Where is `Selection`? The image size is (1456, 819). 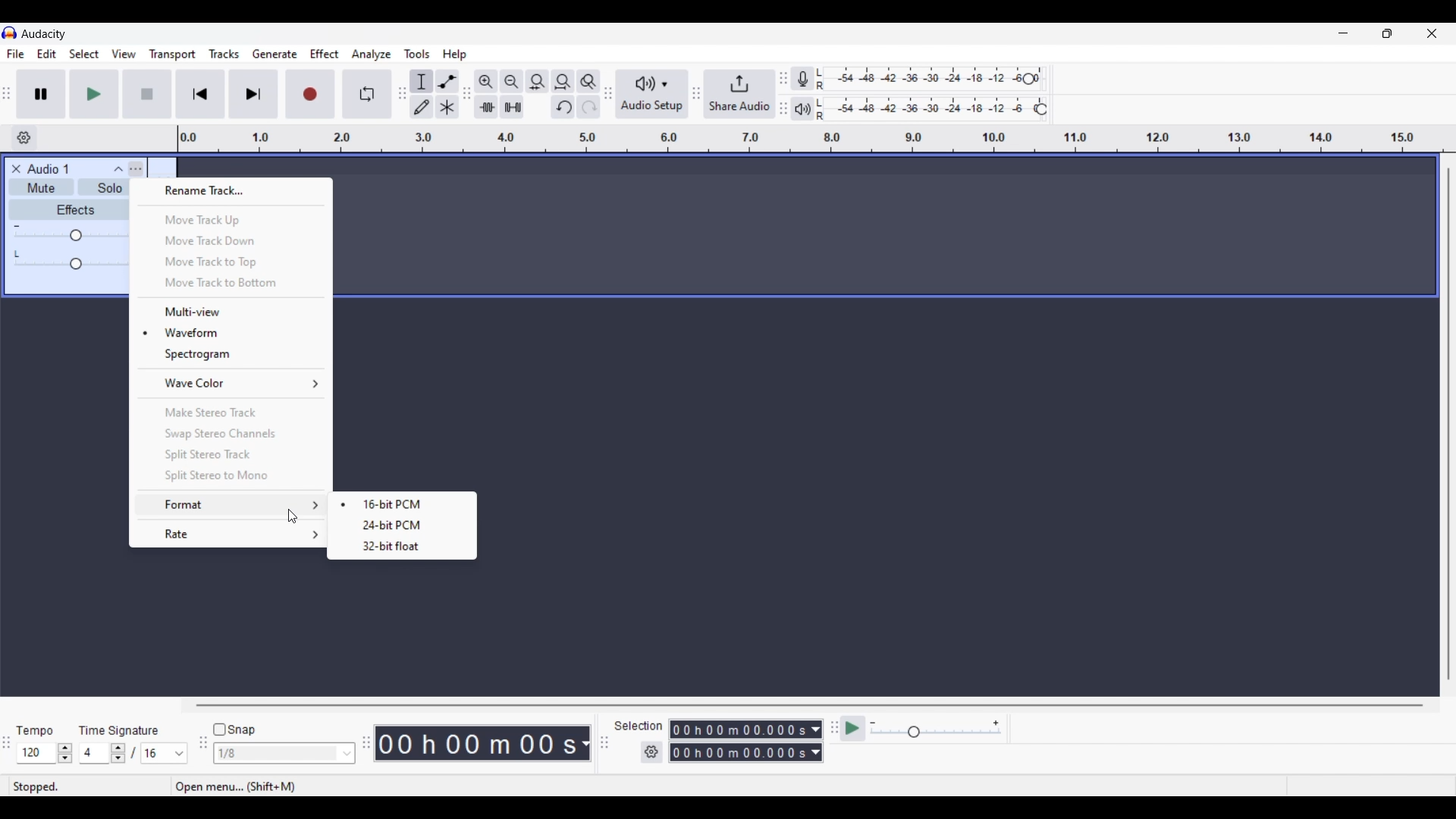 Selection is located at coordinates (637, 726).